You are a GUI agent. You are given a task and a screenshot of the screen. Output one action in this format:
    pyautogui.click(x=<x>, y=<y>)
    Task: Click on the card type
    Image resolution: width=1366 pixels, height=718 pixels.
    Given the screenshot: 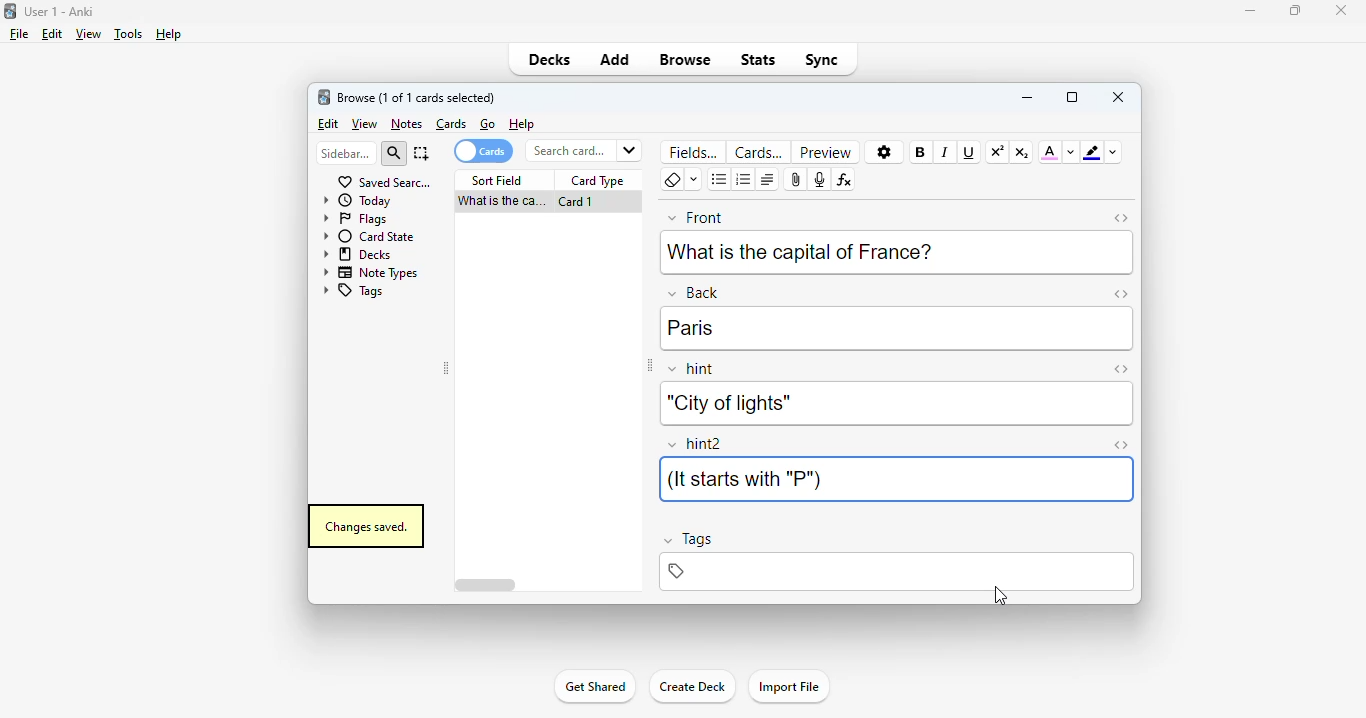 What is the action you would take?
    pyautogui.click(x=598, y=181)
    